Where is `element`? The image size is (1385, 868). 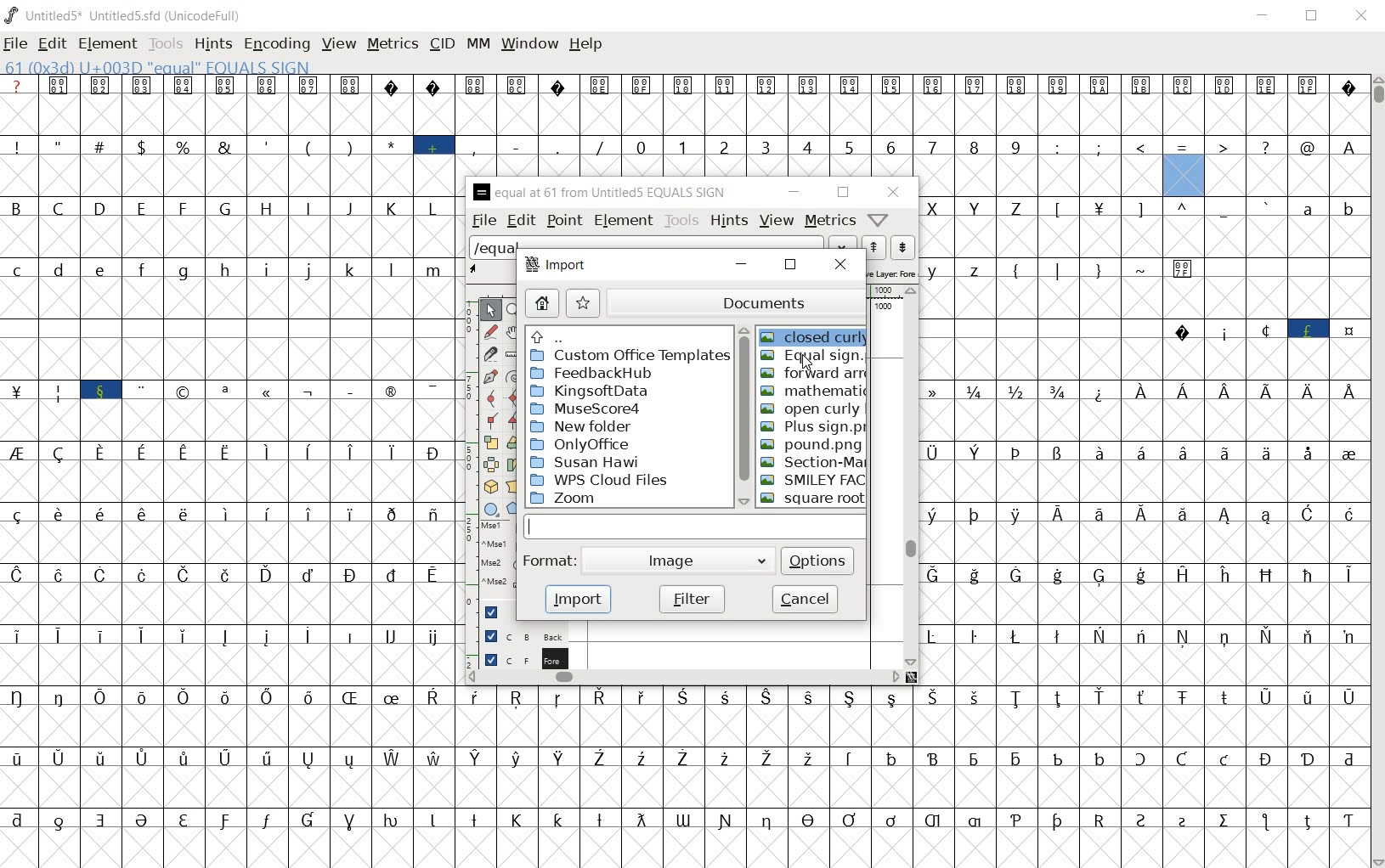 element is located at coordinates (105, 42).